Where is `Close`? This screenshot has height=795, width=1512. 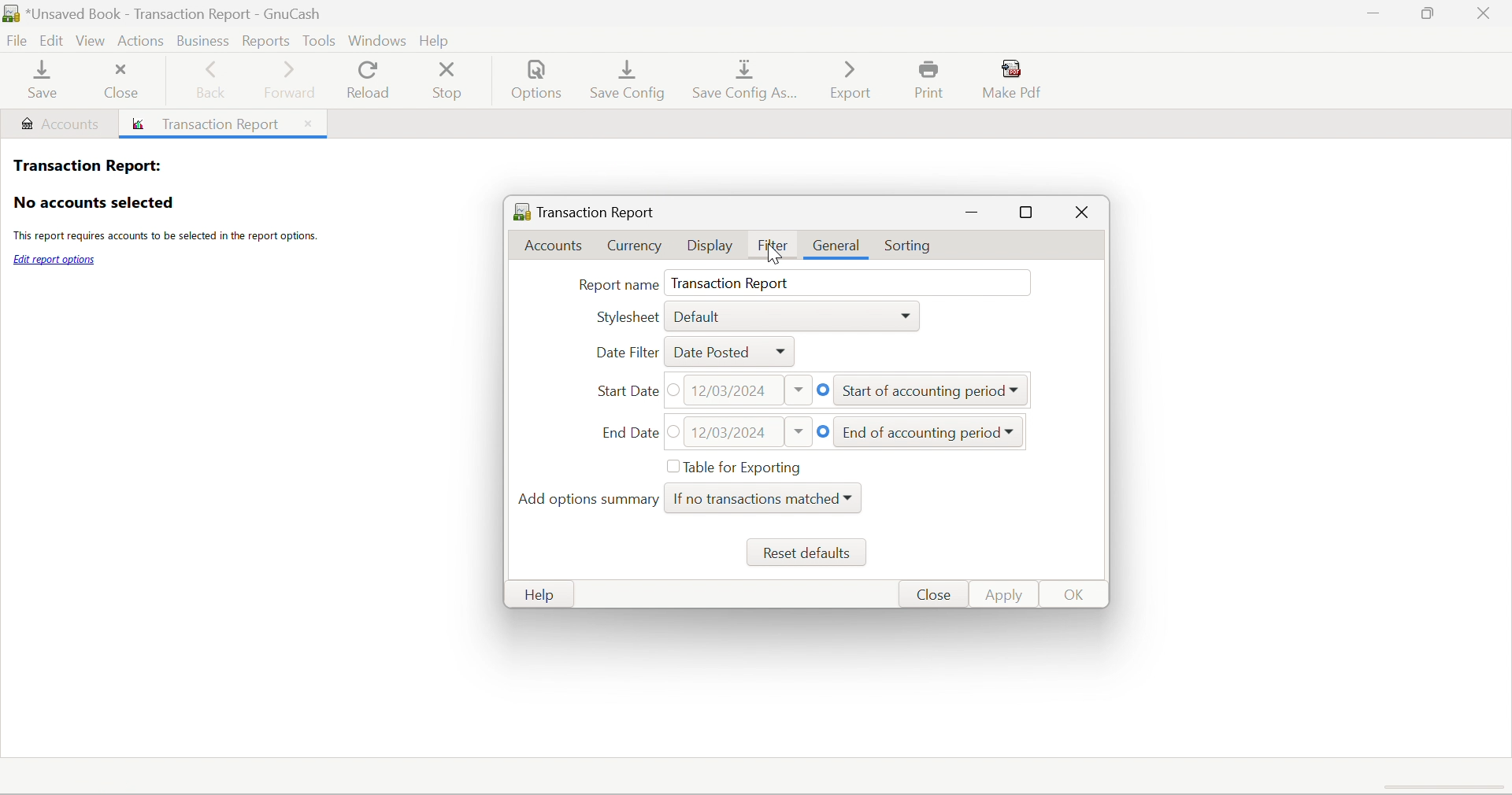 Close is located at coordinates (1081, 215).